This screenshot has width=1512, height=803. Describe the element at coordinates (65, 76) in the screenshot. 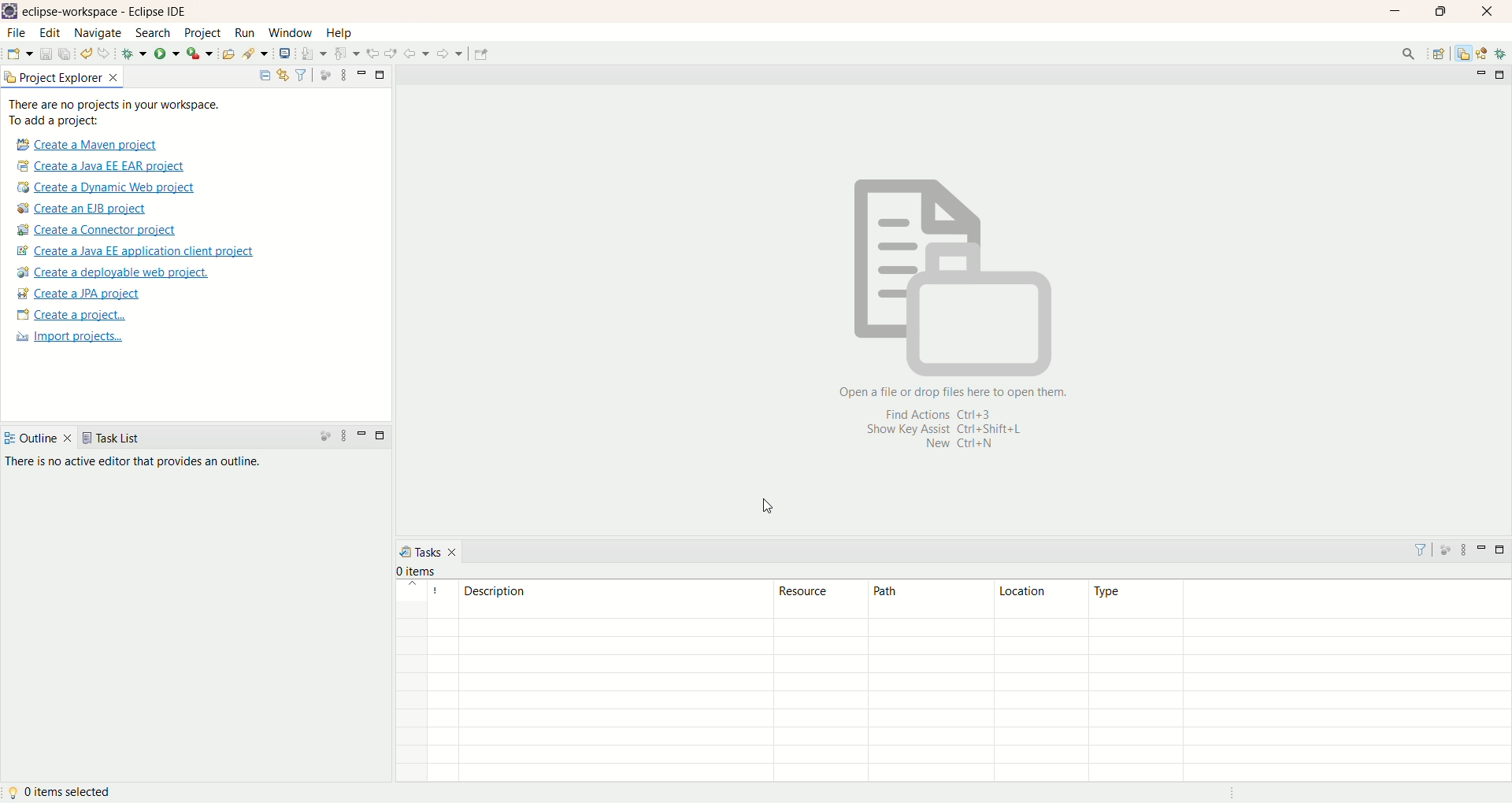

I see `project explorer` at that location.